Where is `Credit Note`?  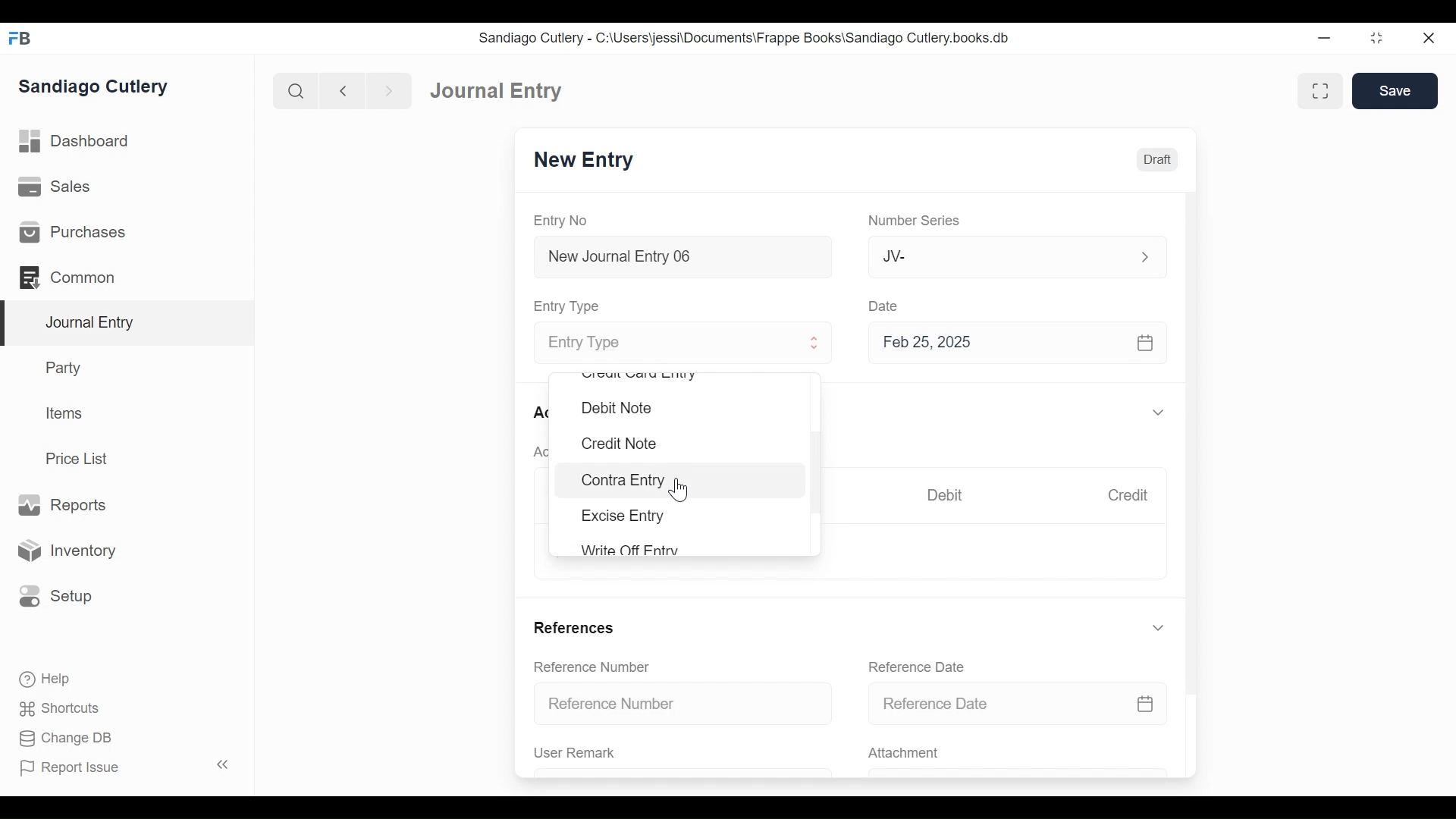
Credit Note is located at coordinates (617, 444).